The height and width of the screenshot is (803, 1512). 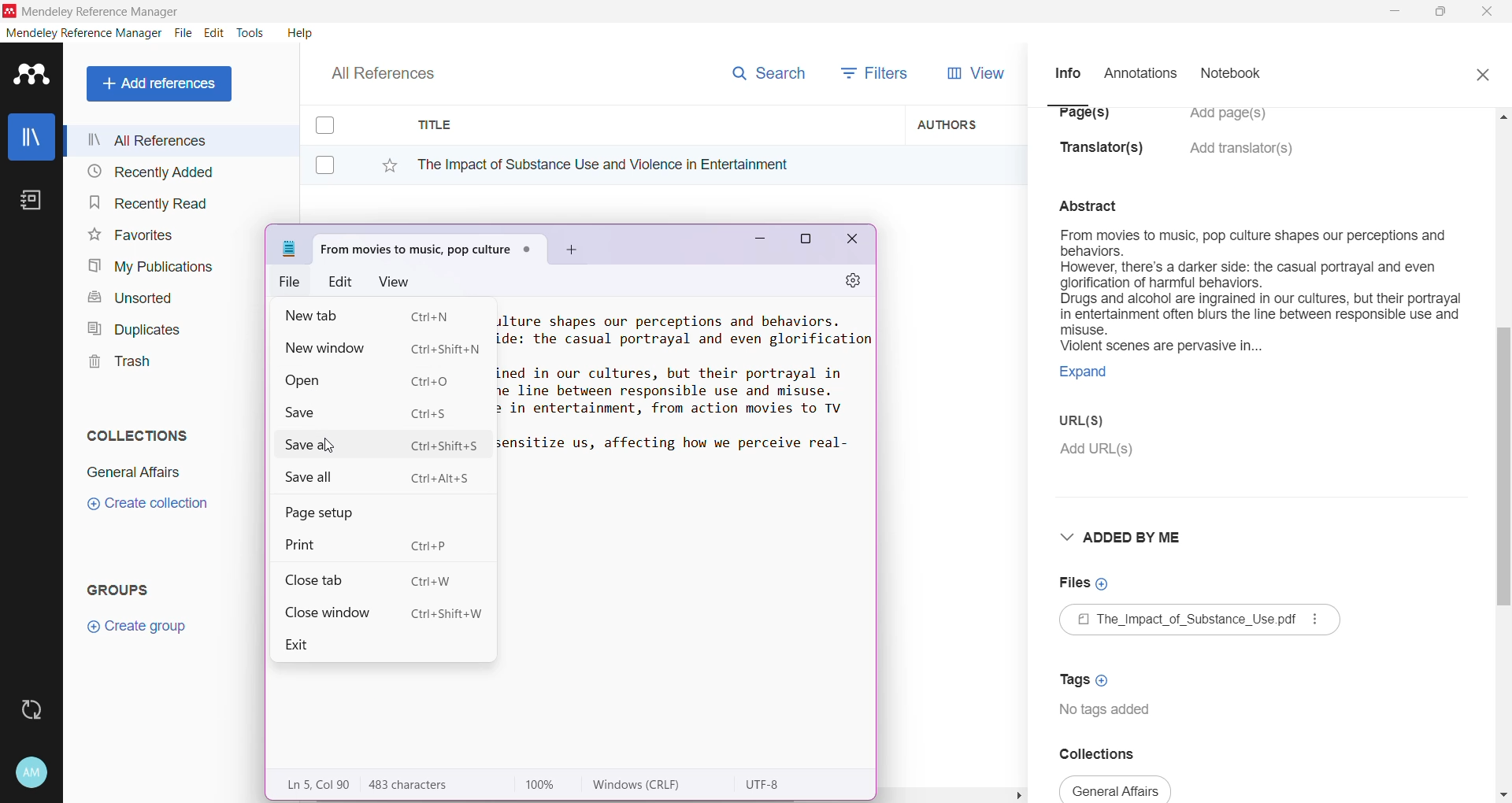 I want to click on Edit, so click(x=342, y=281).